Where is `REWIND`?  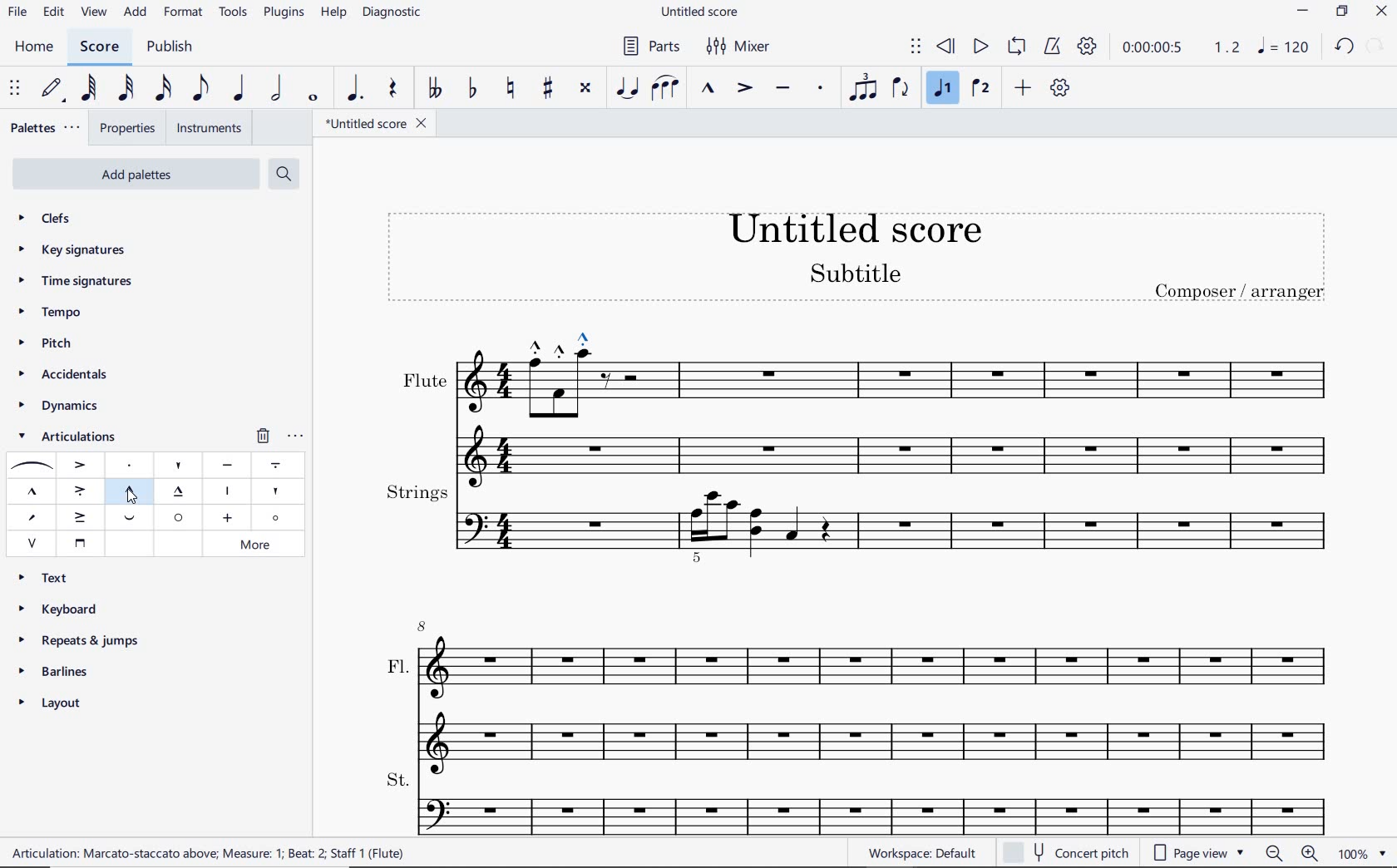
REWIND is located at coordinates (943, 47).